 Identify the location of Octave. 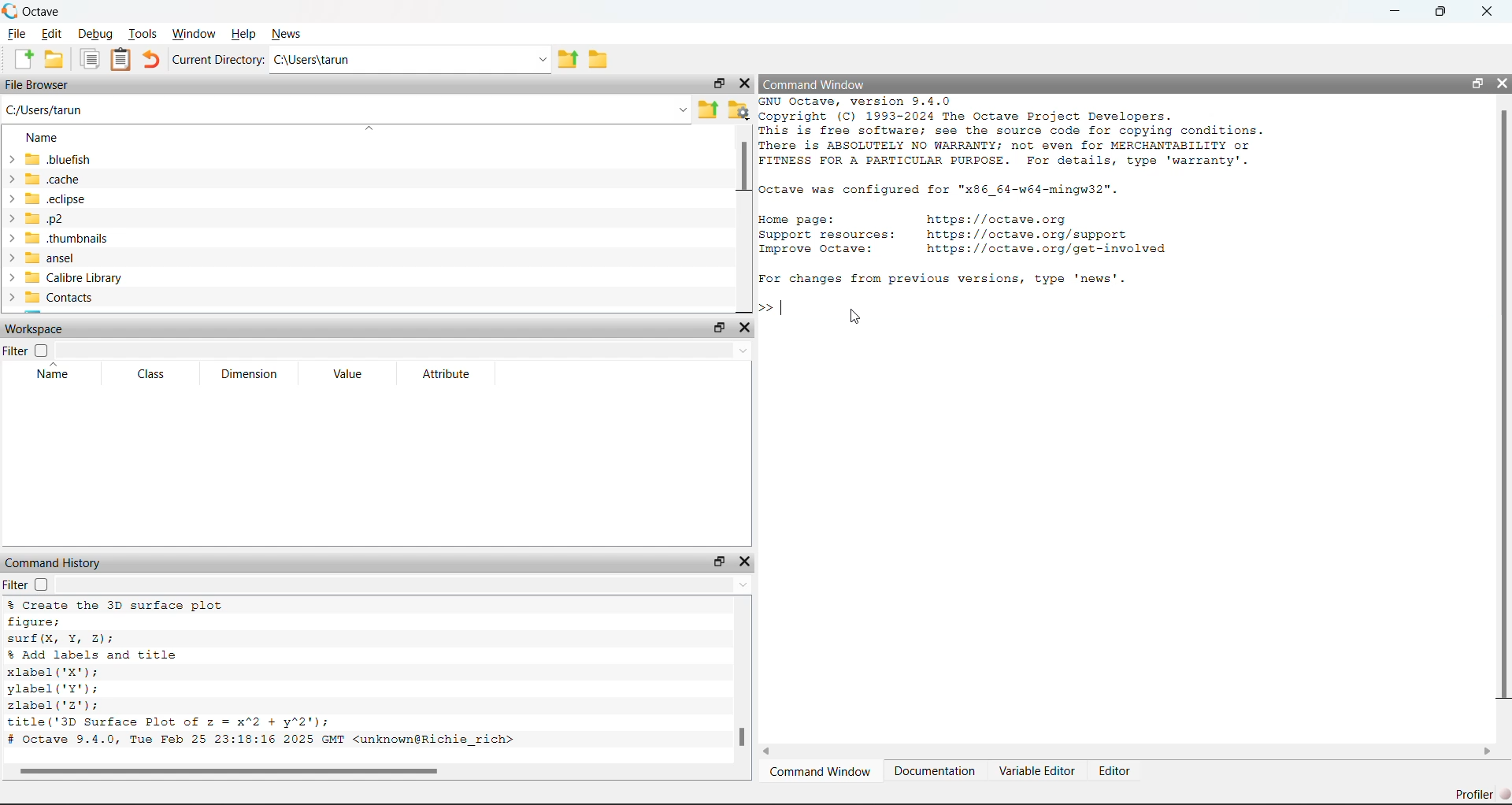
(33, 12).